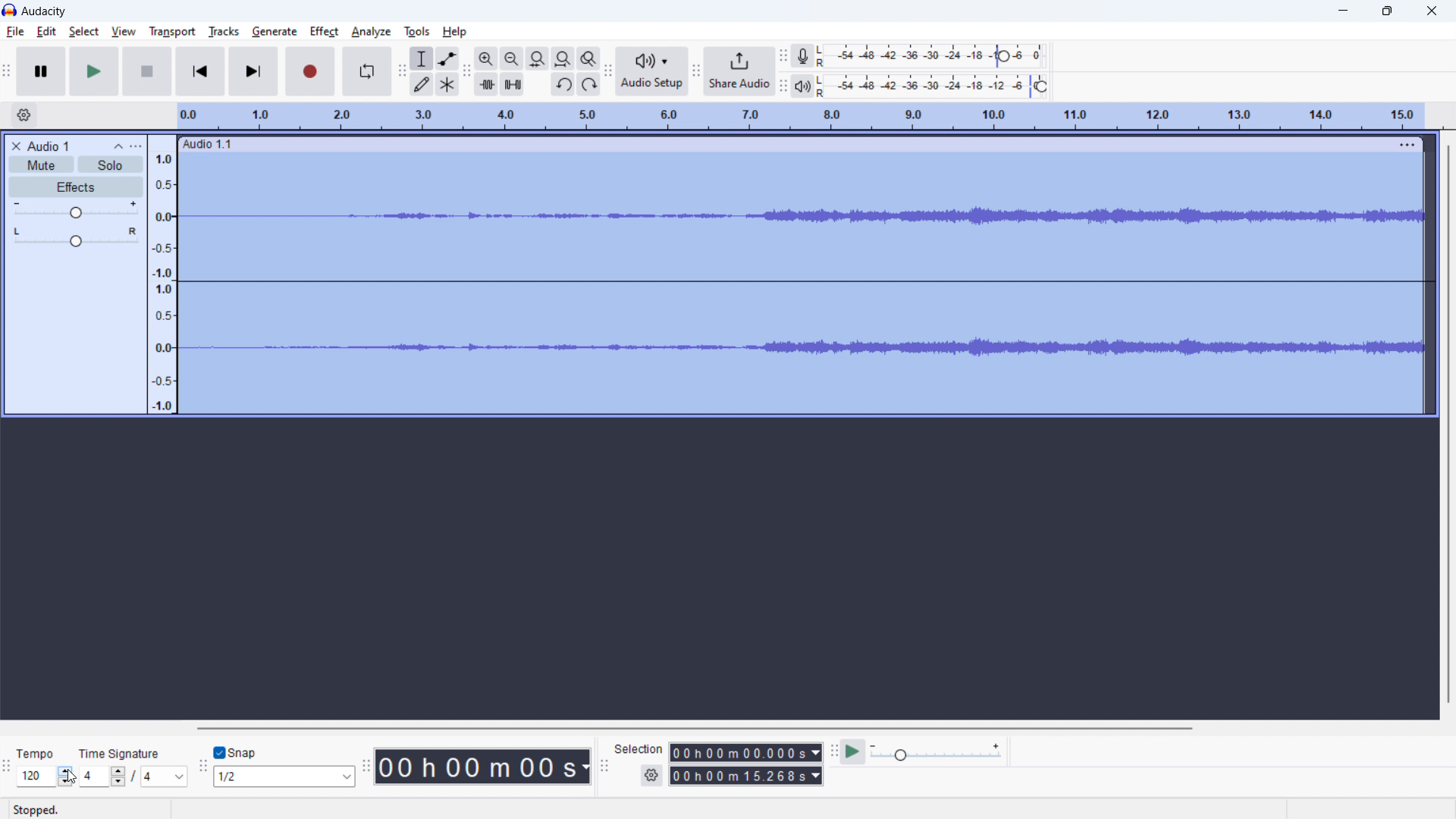  I want to click on selection tool, so click(422, 58).